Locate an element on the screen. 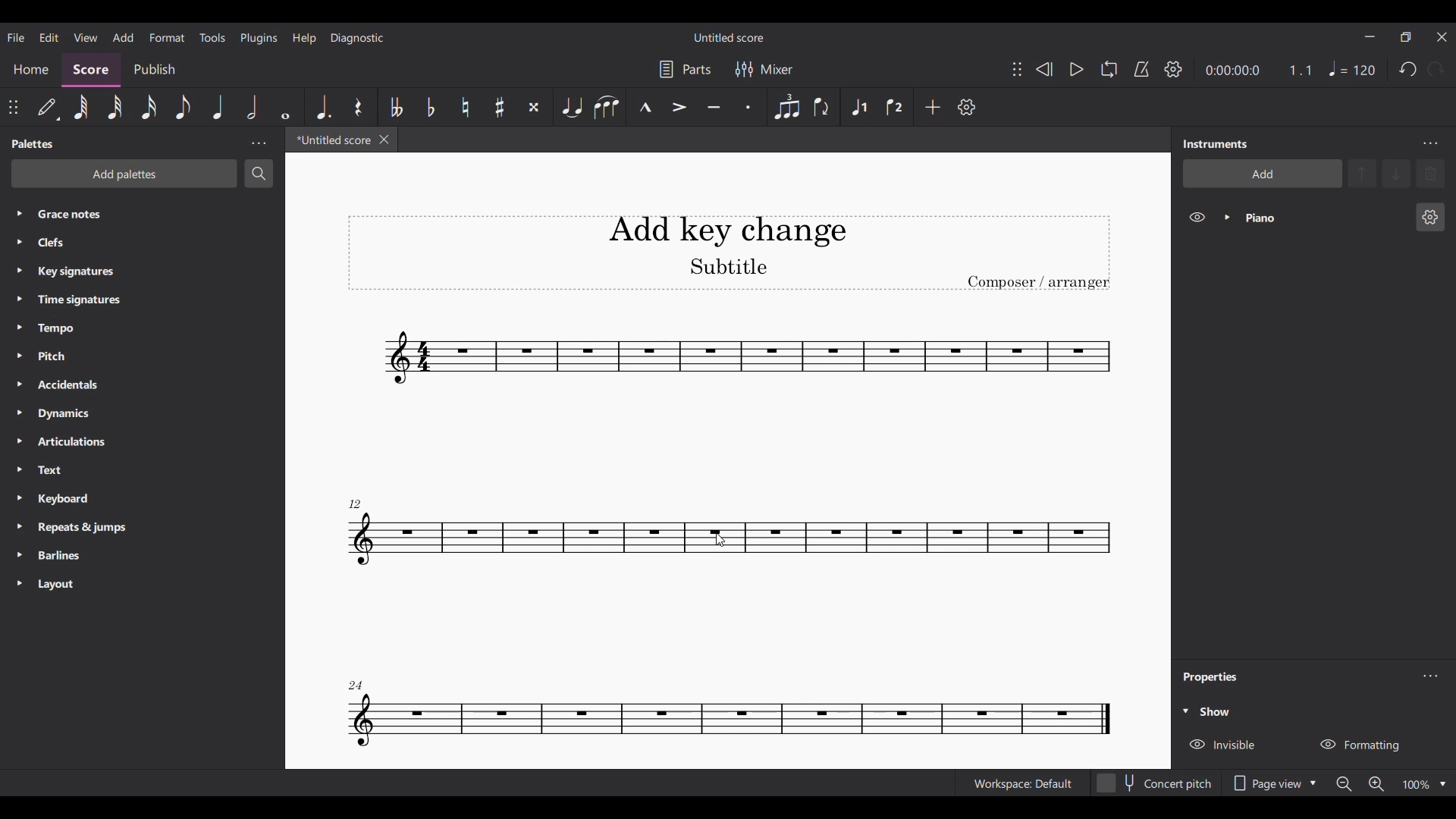 The height and width of the screenshot is (819, 1456). 64th note is located at coordinates (81, 107).